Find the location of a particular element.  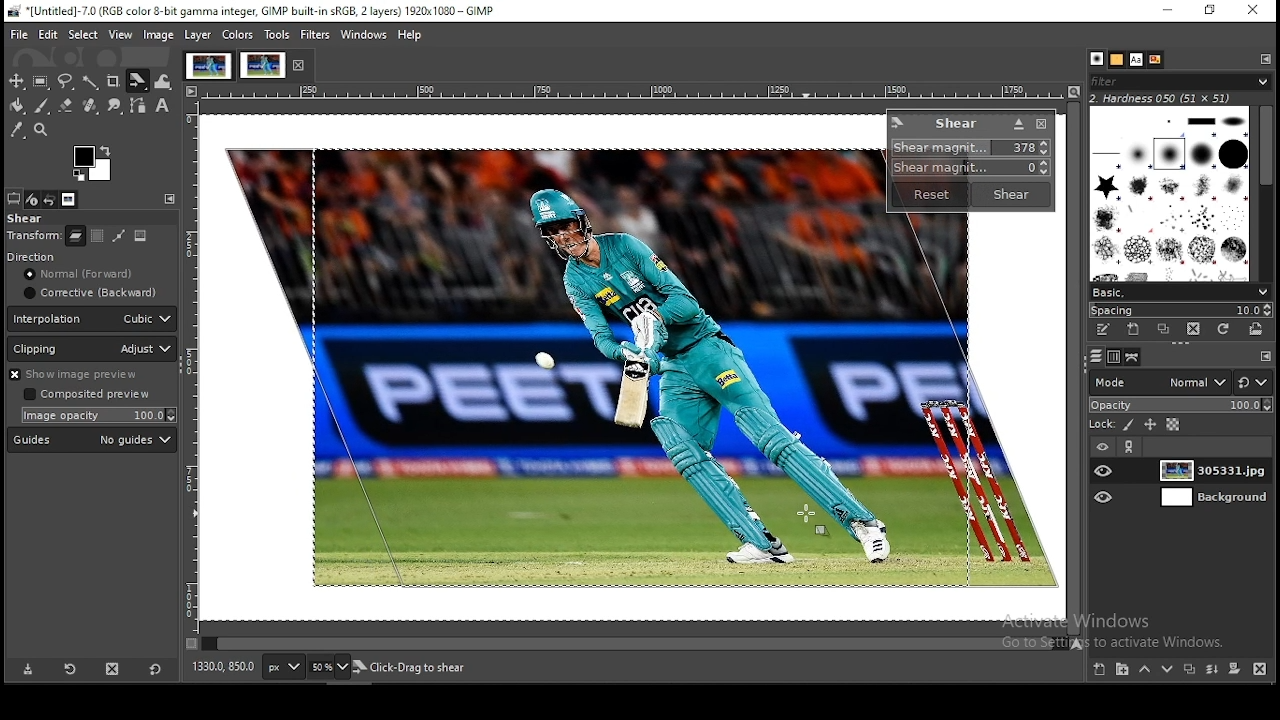

duplicate layer is located at coordinates (1189, 669).